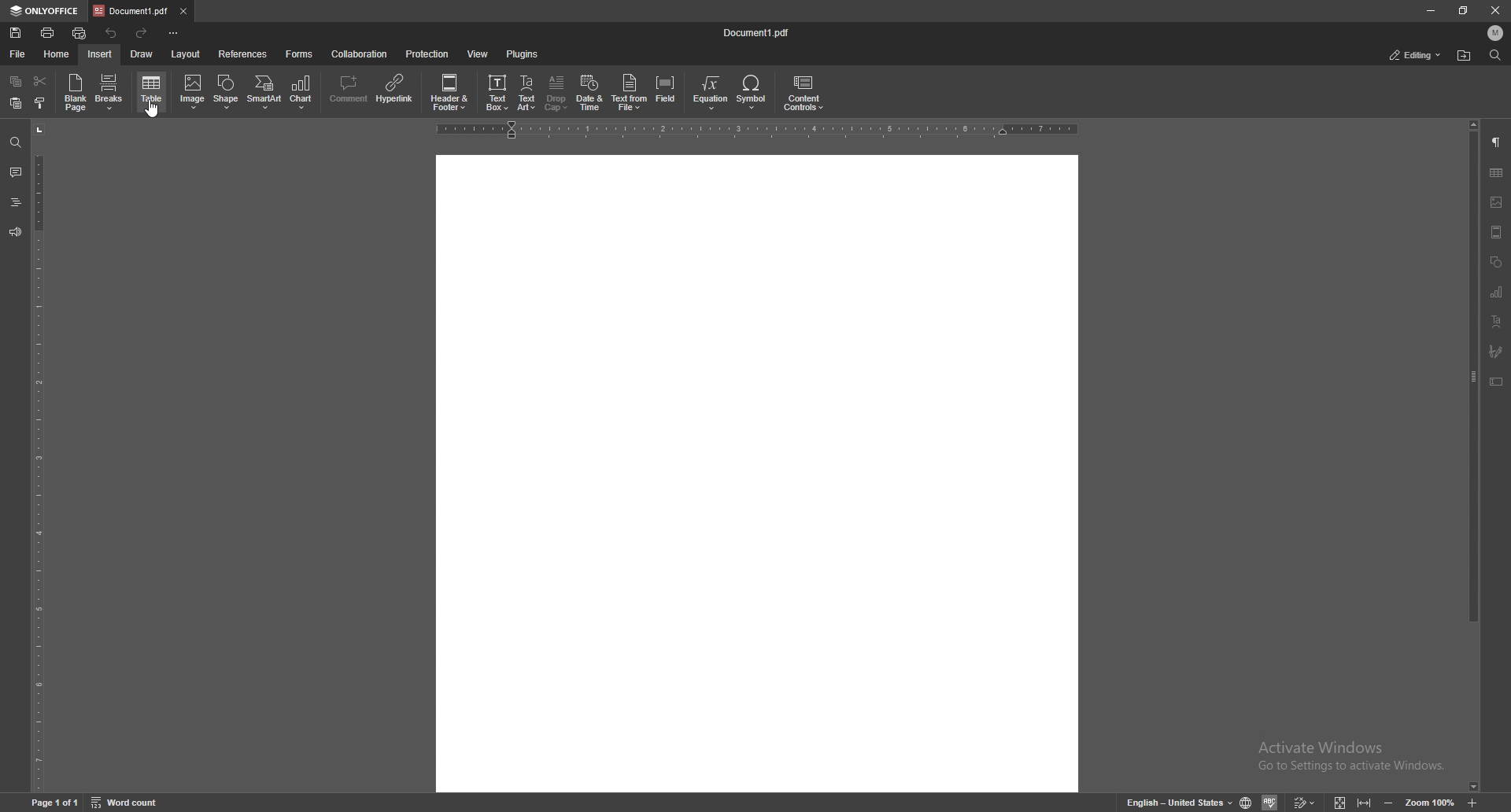 This screenshot has height=812, width=1511. Describe the element at coordinates (153, 91) in the screenshot. I see `table` at that location.